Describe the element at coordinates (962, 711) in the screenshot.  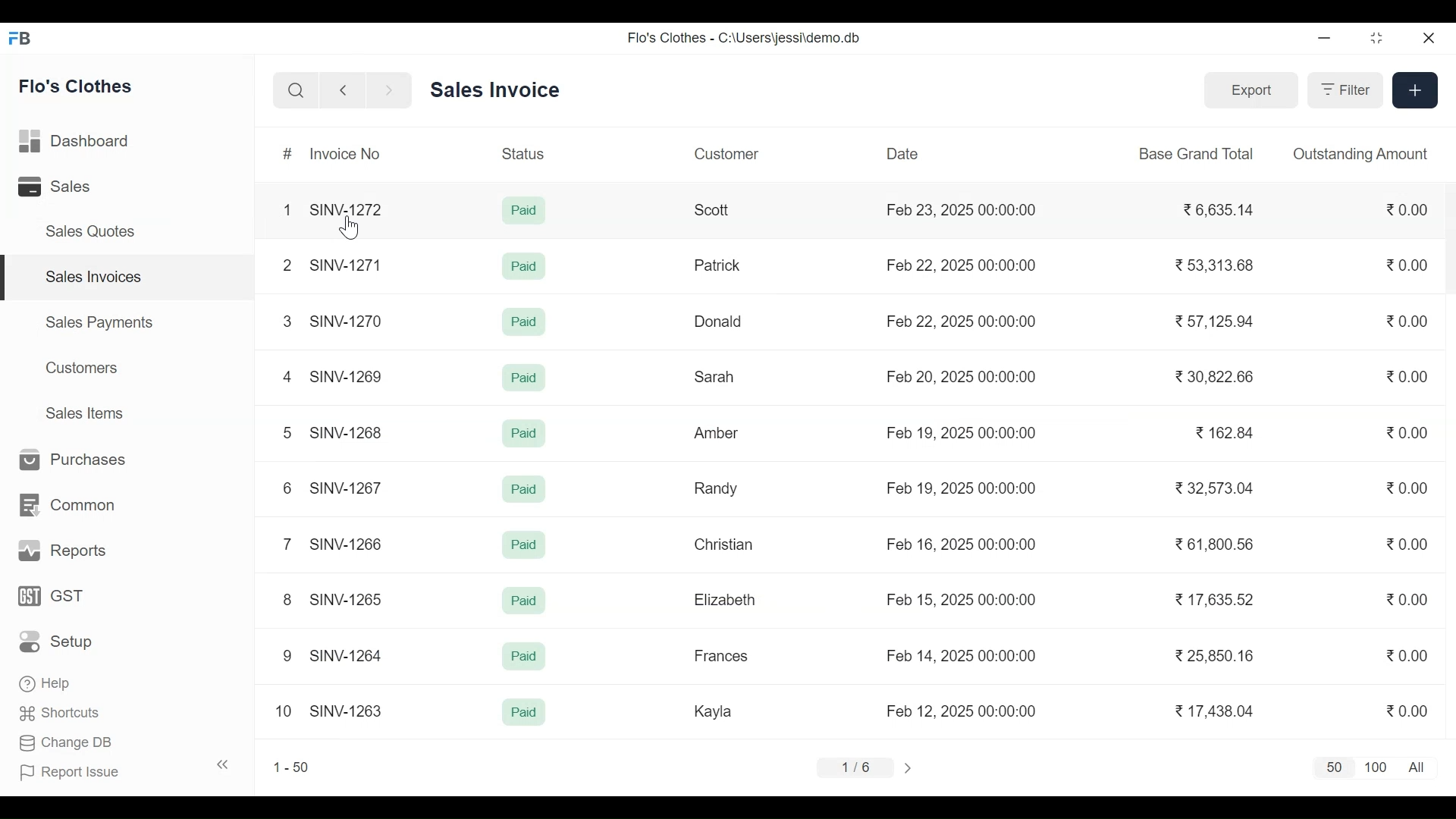
I see `Feb 12. 2025 00:00:00` at that location.